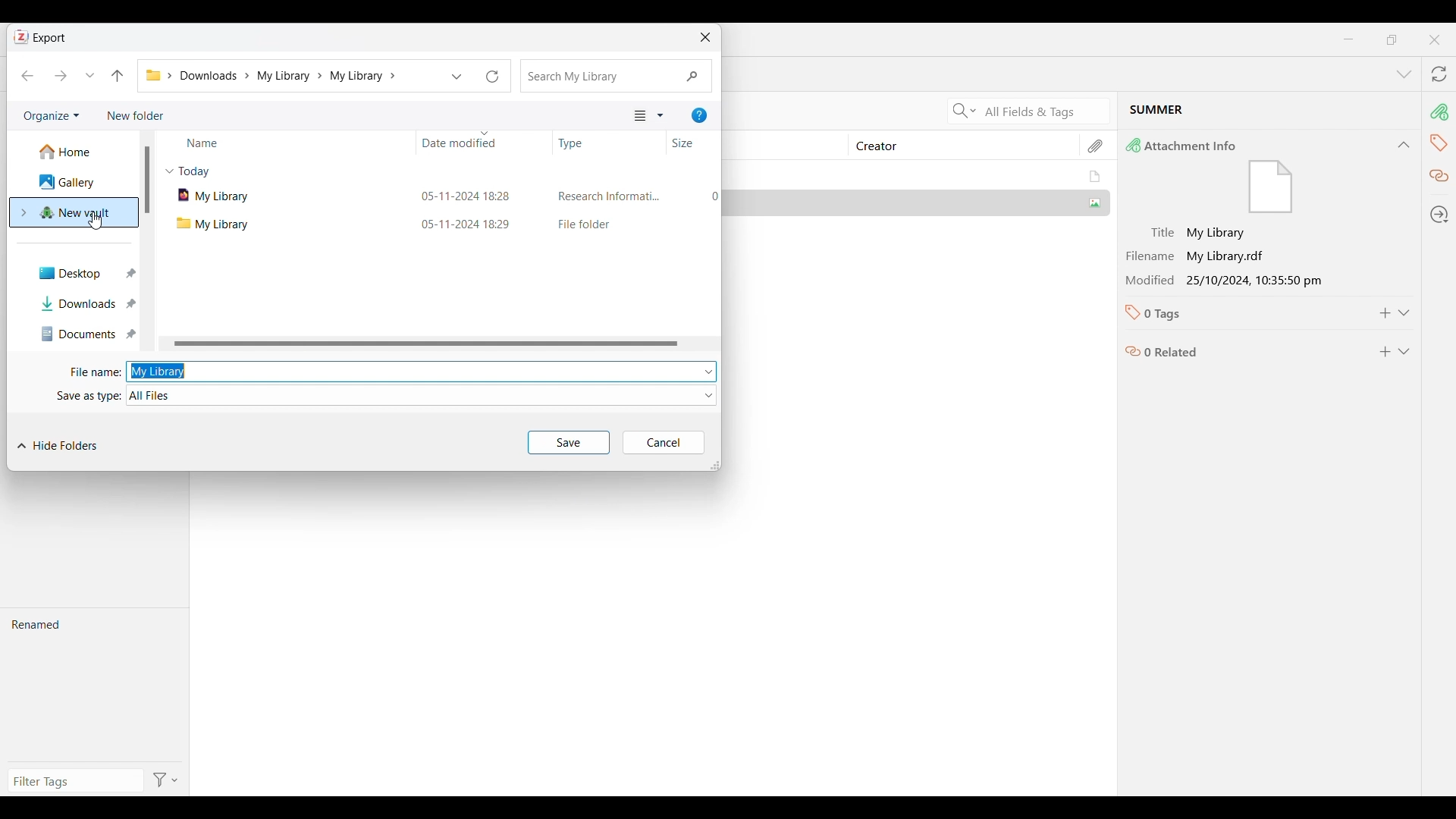 Image resolution: width=1456 pixels, height=819 pixels. I want to click on New vault, so click(74, 213).